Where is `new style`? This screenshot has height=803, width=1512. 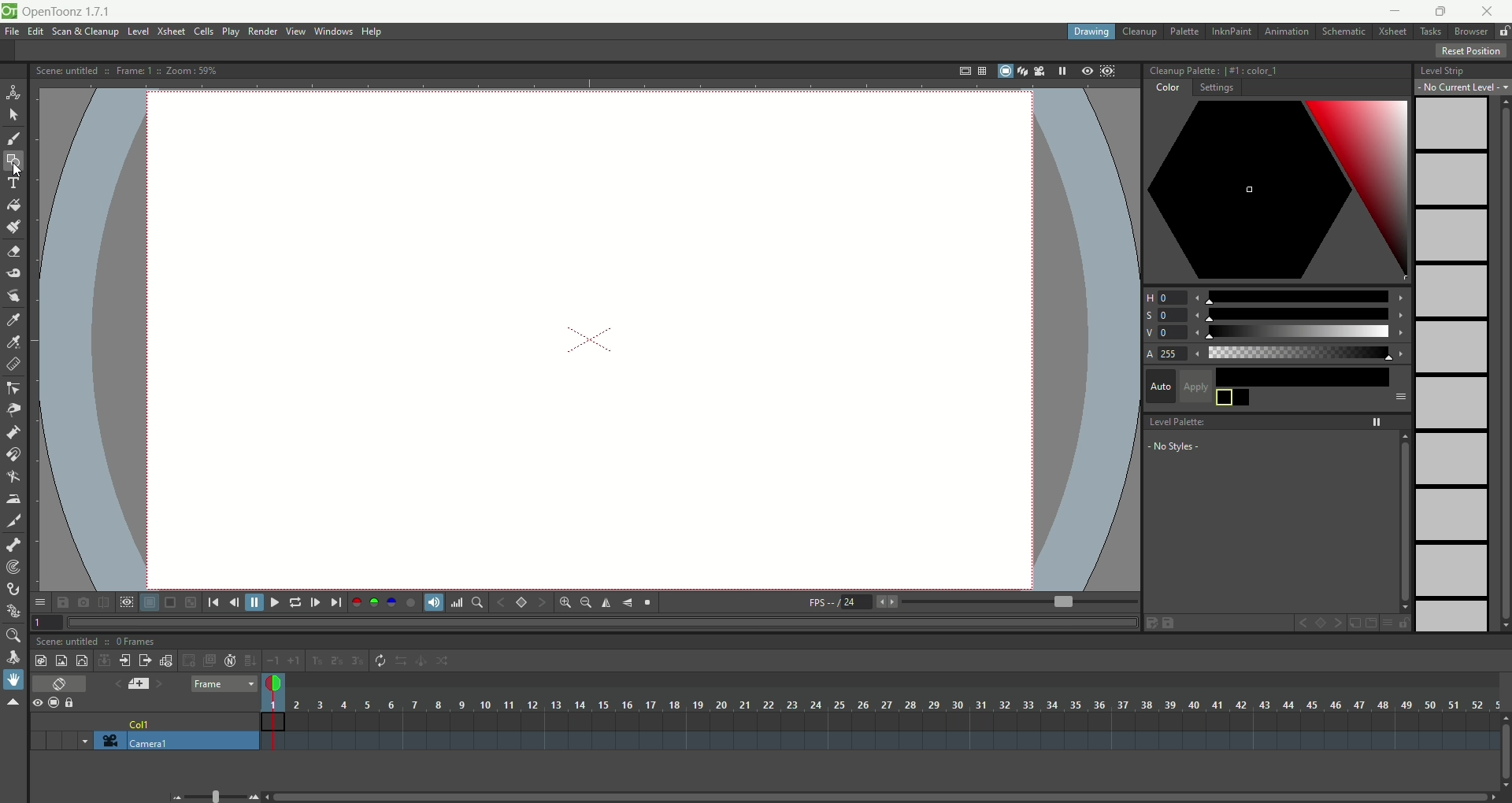 new style is located at coordinates (1354, 624).